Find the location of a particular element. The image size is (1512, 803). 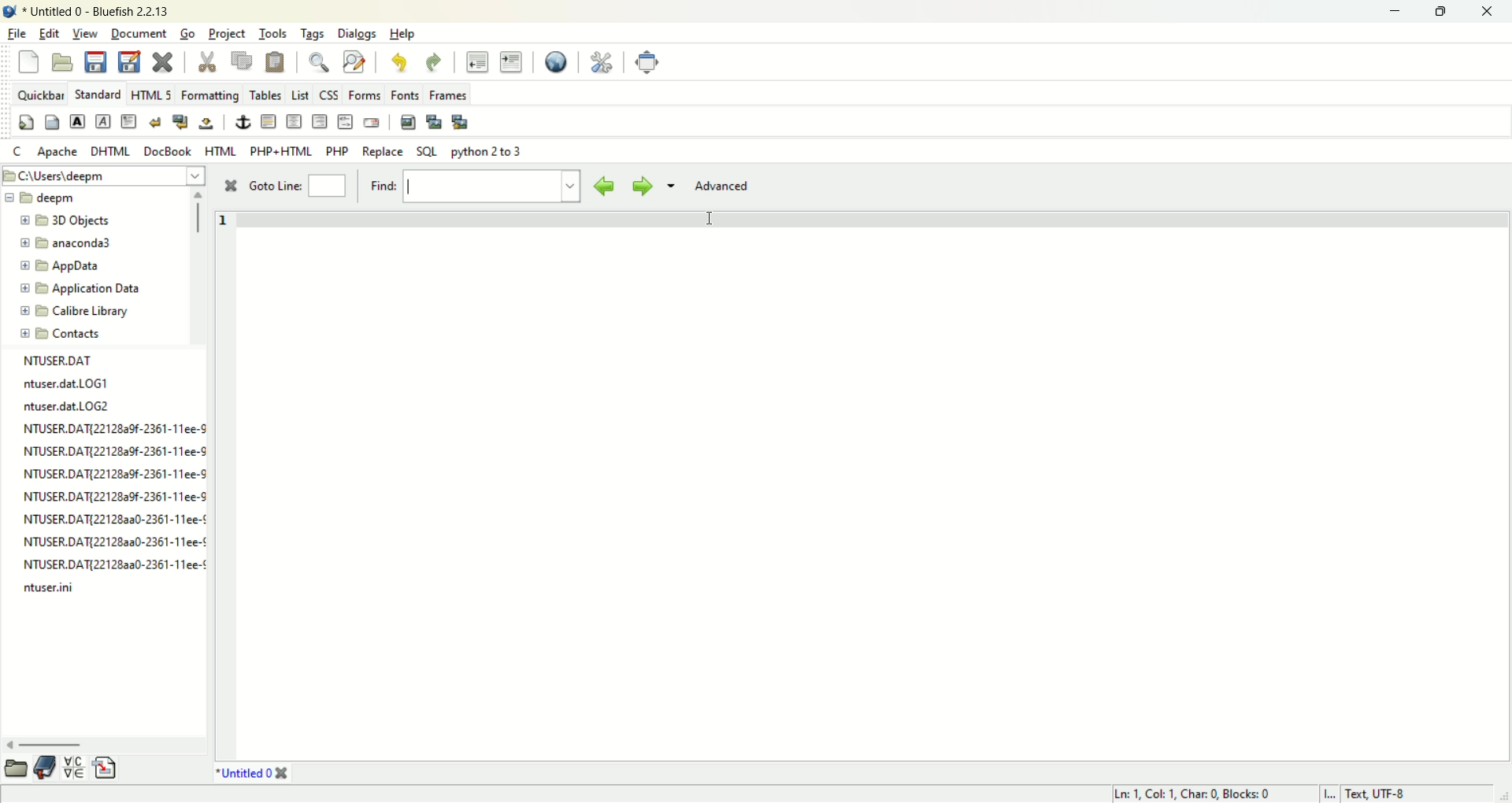

Ln: 1 Col 1 Char 0 Blocks: 0 is located at coordinates (1189, 793).